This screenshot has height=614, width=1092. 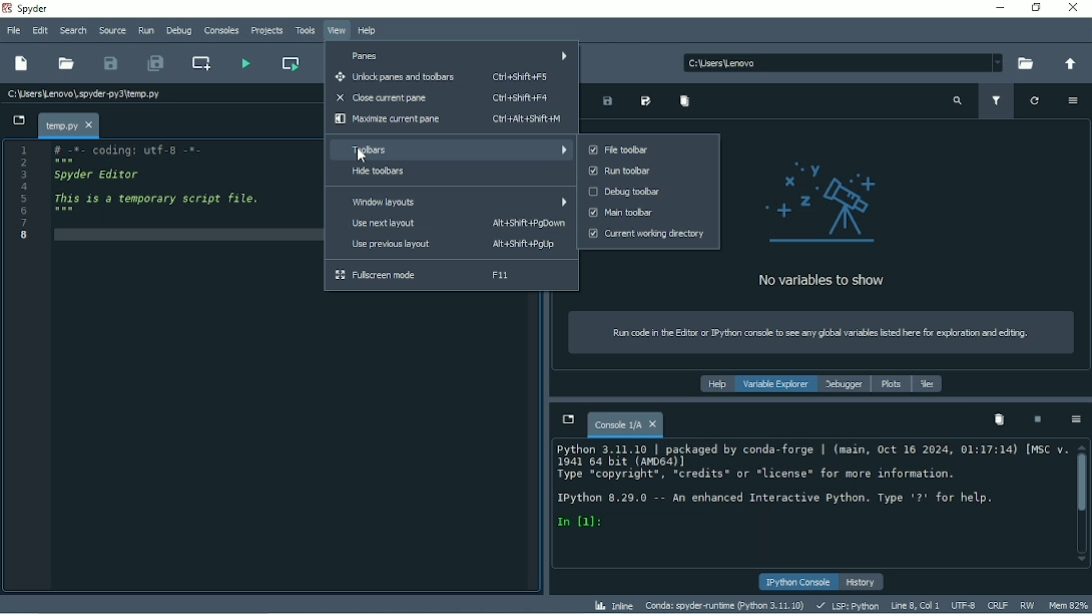 I want to click on Interrupt kernel, so click(x=1037, y=420).